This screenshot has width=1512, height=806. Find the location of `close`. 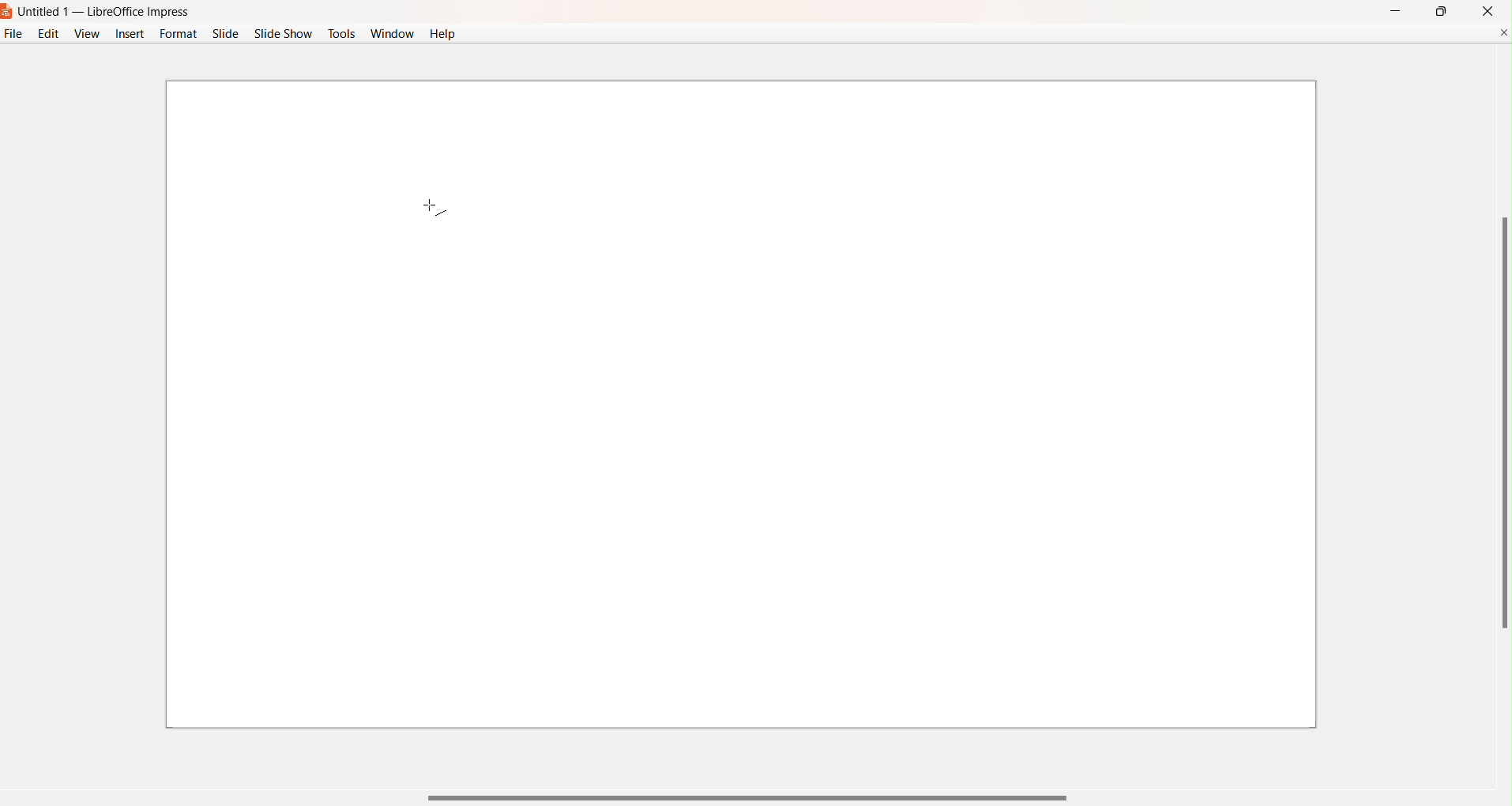

close is located at coordinates (1488, 10).